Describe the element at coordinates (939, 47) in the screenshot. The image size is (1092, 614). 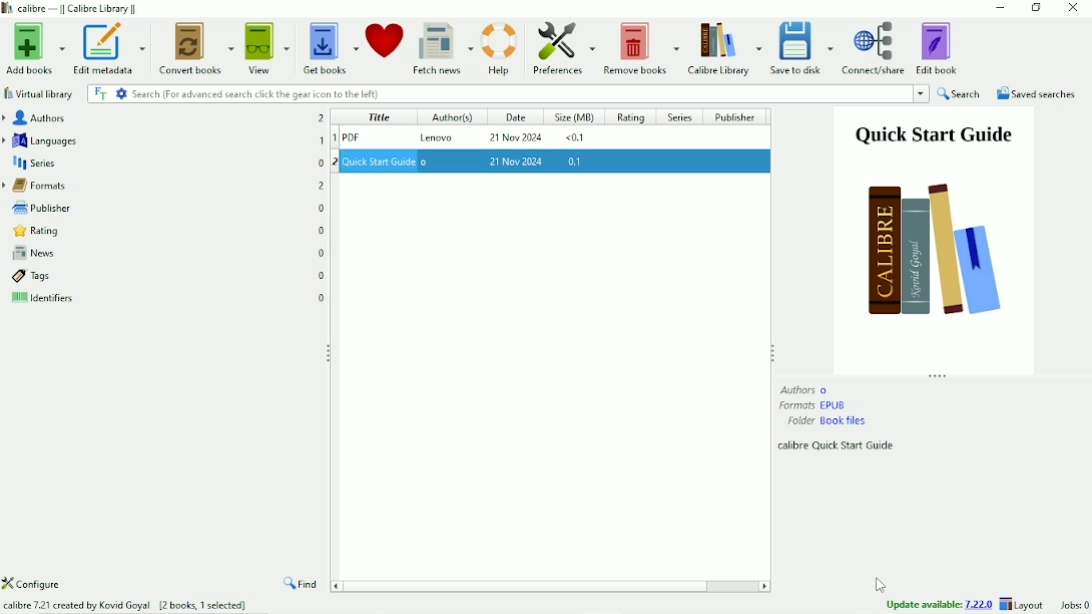
I see `Edit book` at that location.